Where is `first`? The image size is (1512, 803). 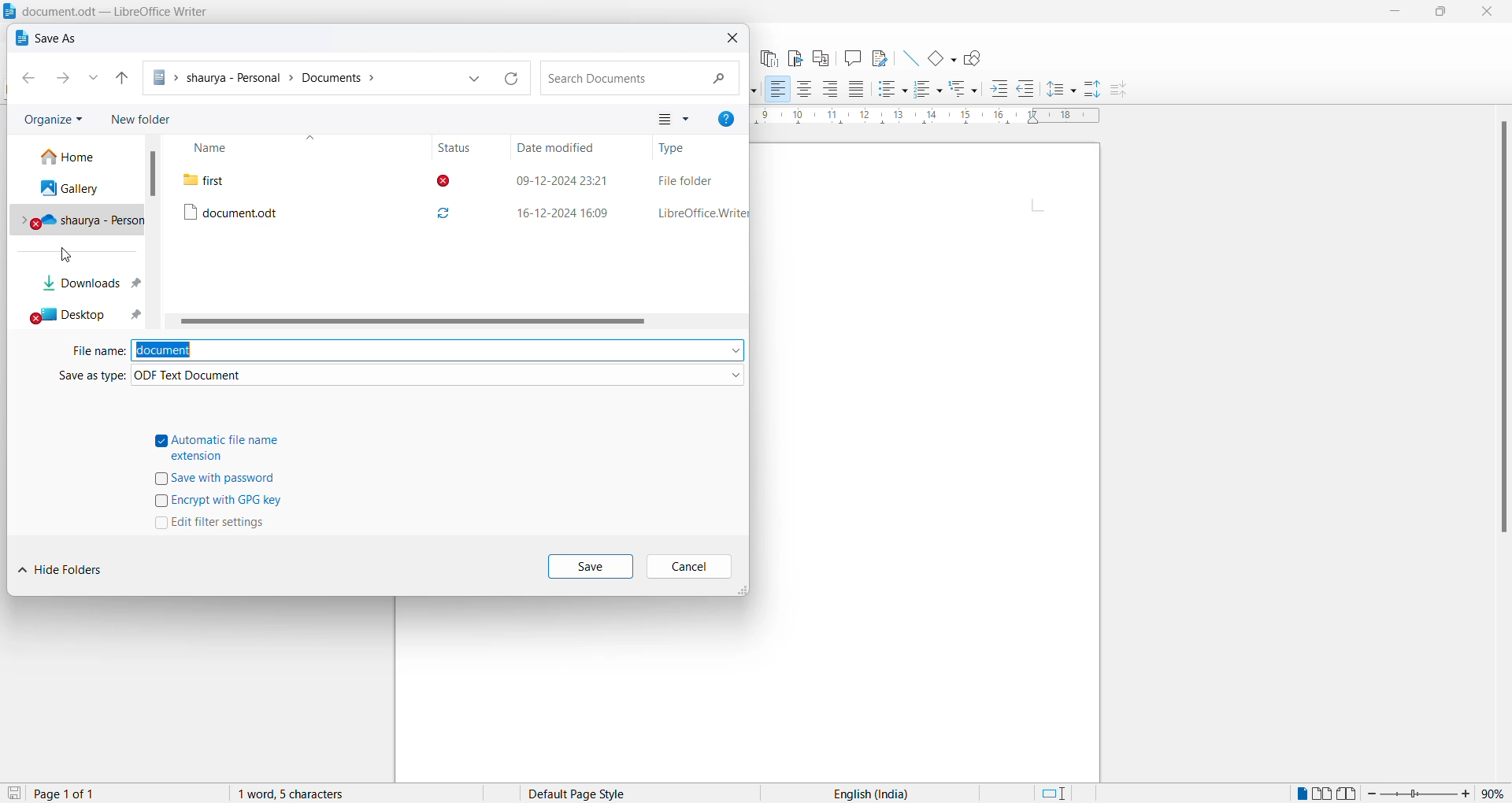
first is located at coordinates (278, 179).